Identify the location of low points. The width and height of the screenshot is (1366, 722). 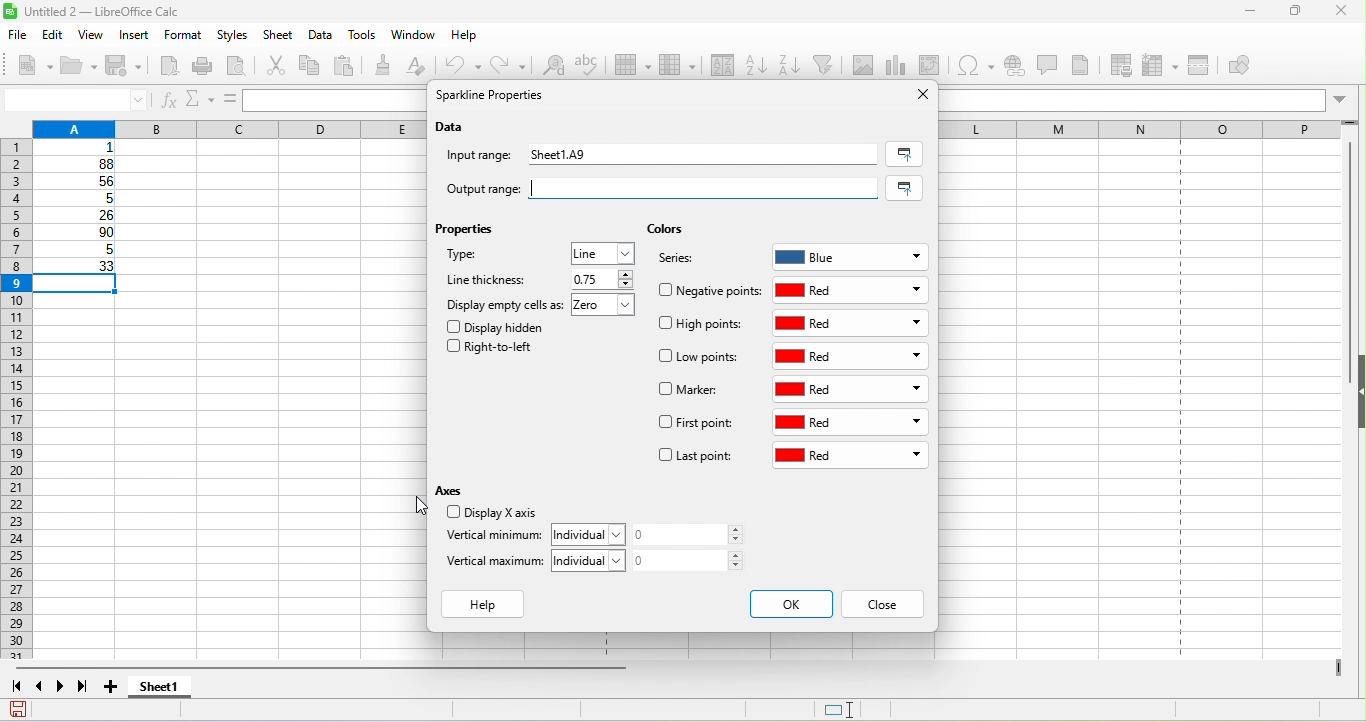
(702, 358).